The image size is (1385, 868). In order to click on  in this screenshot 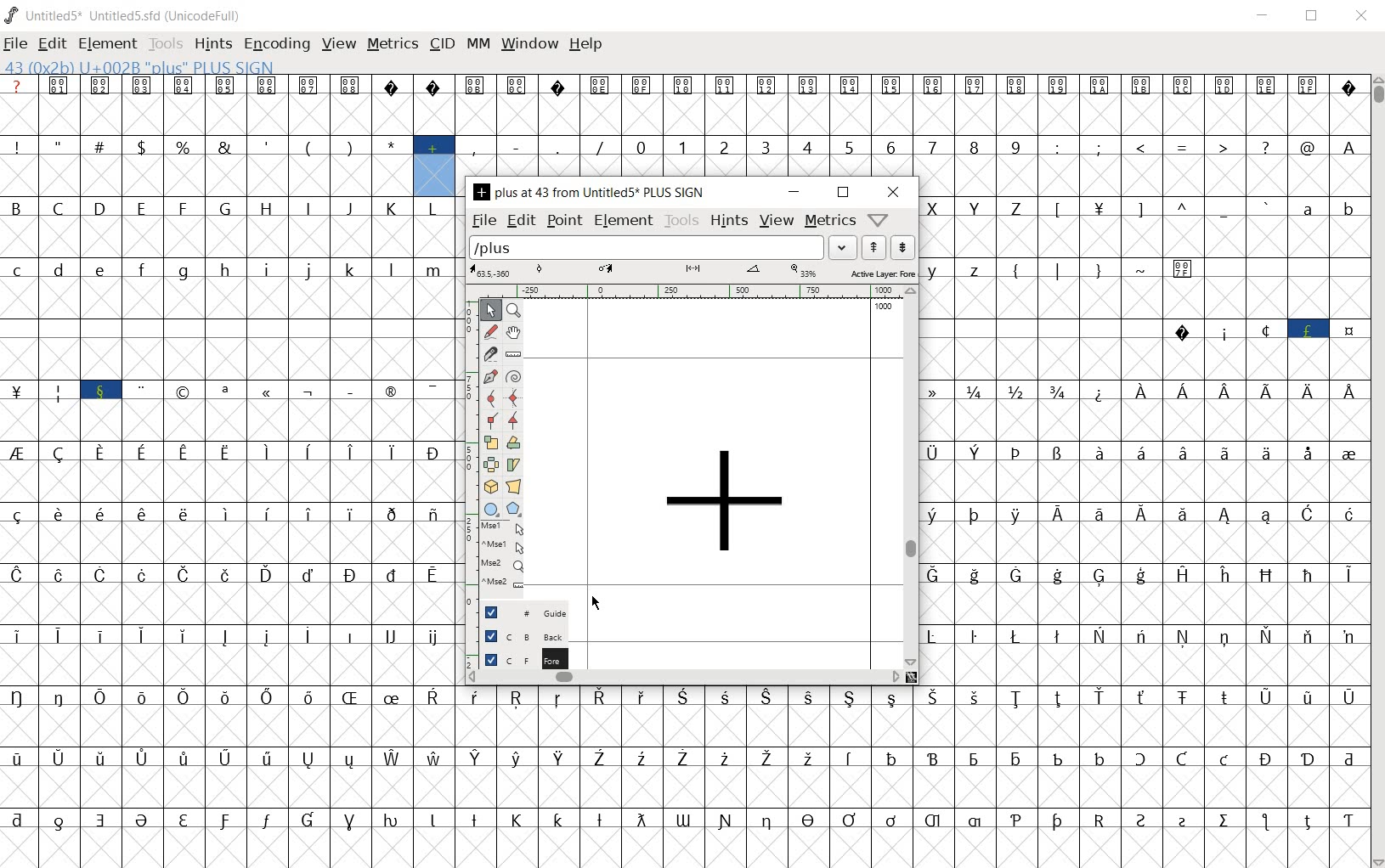, I will do `click(1042, 351)`.